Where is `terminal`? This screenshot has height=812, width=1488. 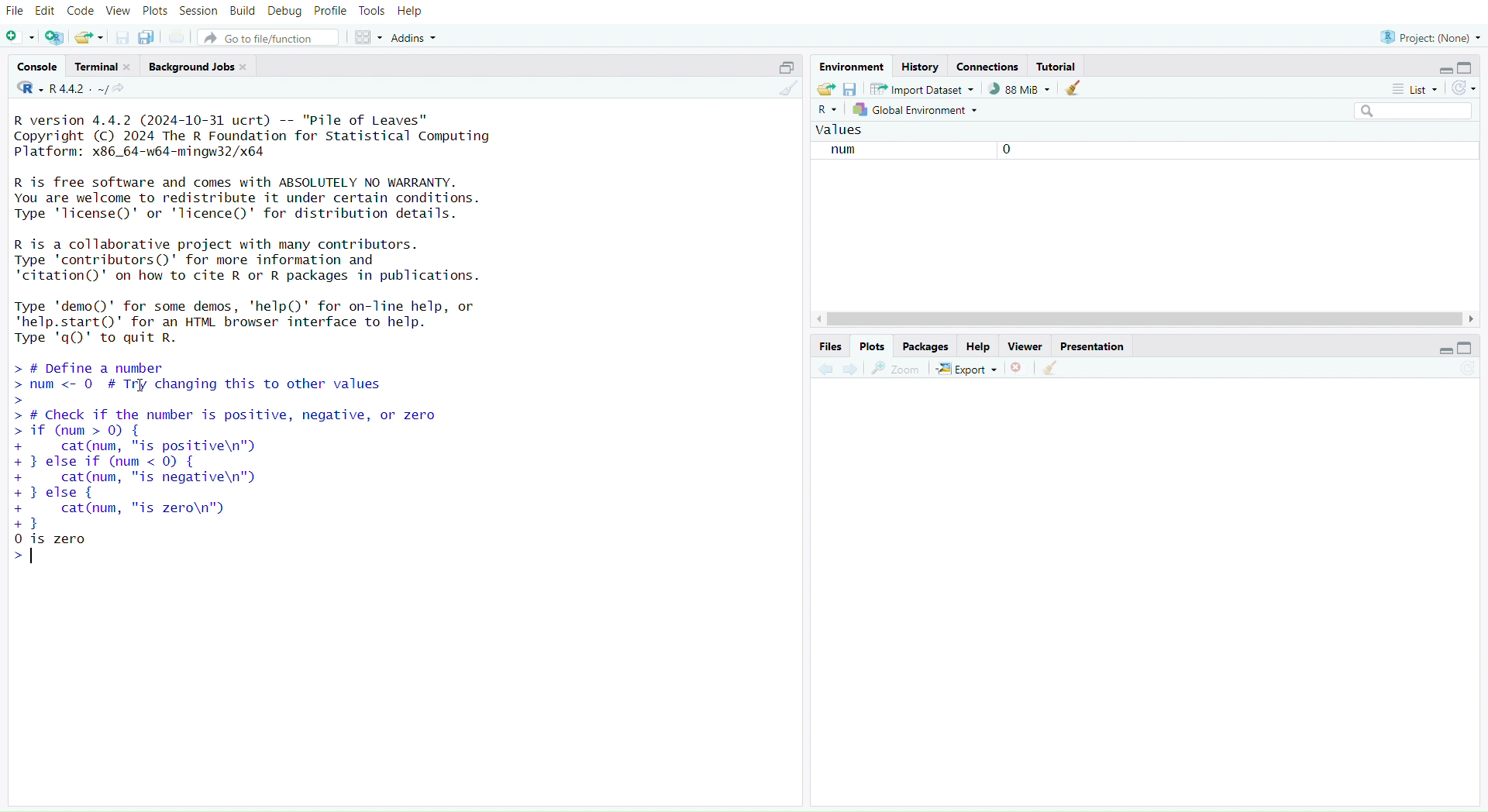 terminal is located at coordinates (105, 67).